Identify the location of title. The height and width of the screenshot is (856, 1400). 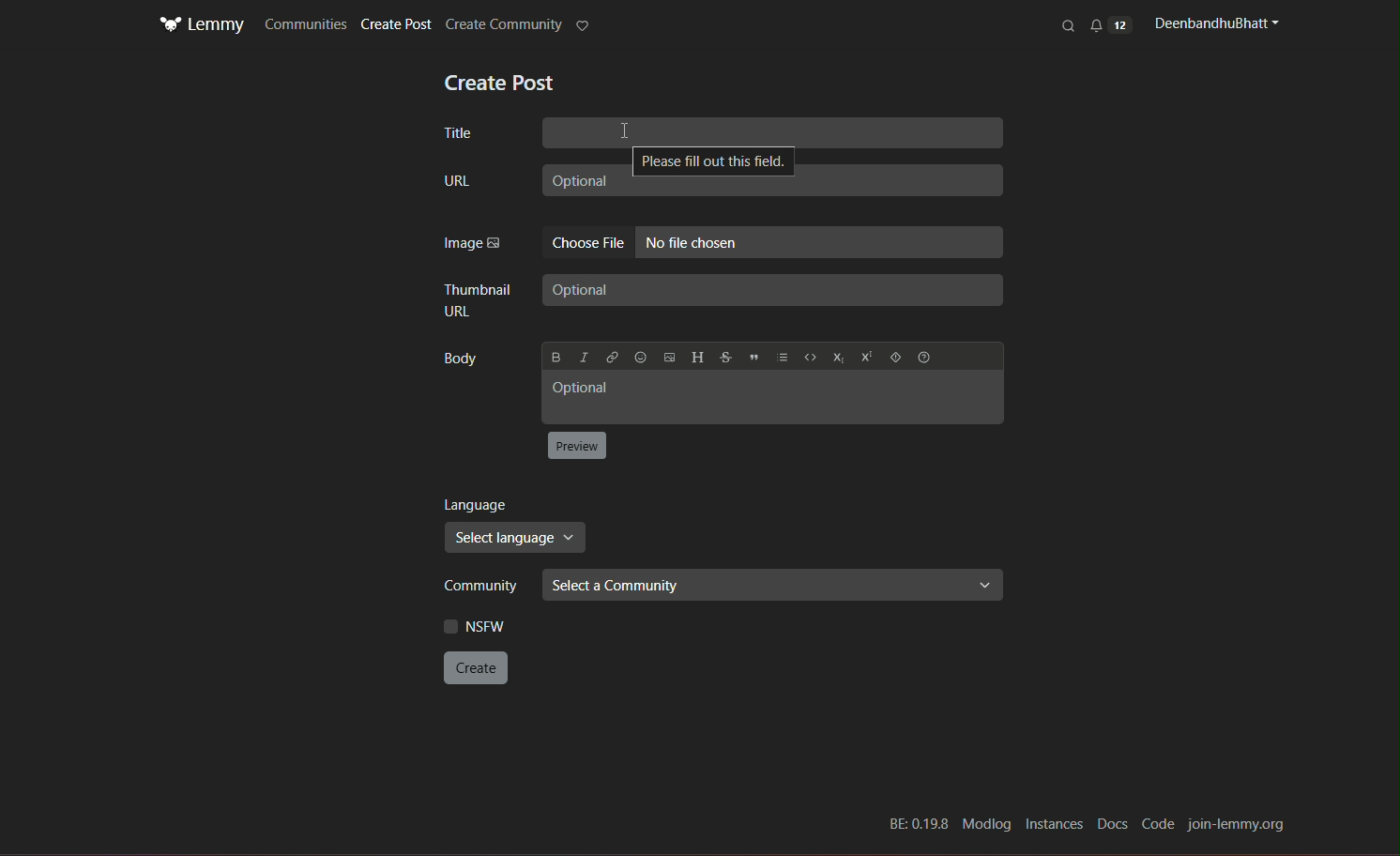
(459, 135).